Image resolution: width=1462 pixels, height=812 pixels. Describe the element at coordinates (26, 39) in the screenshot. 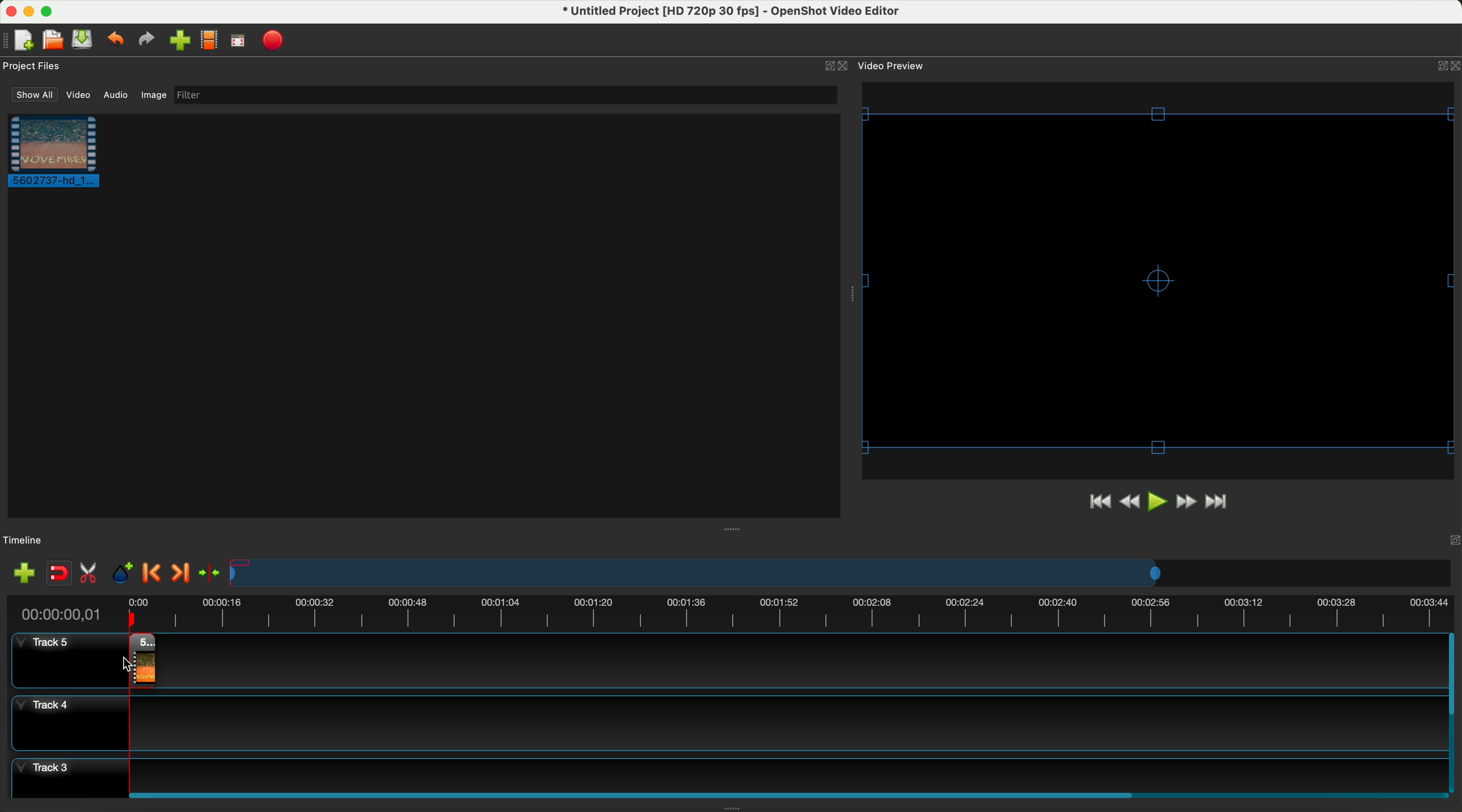

I see `new project` at that location.